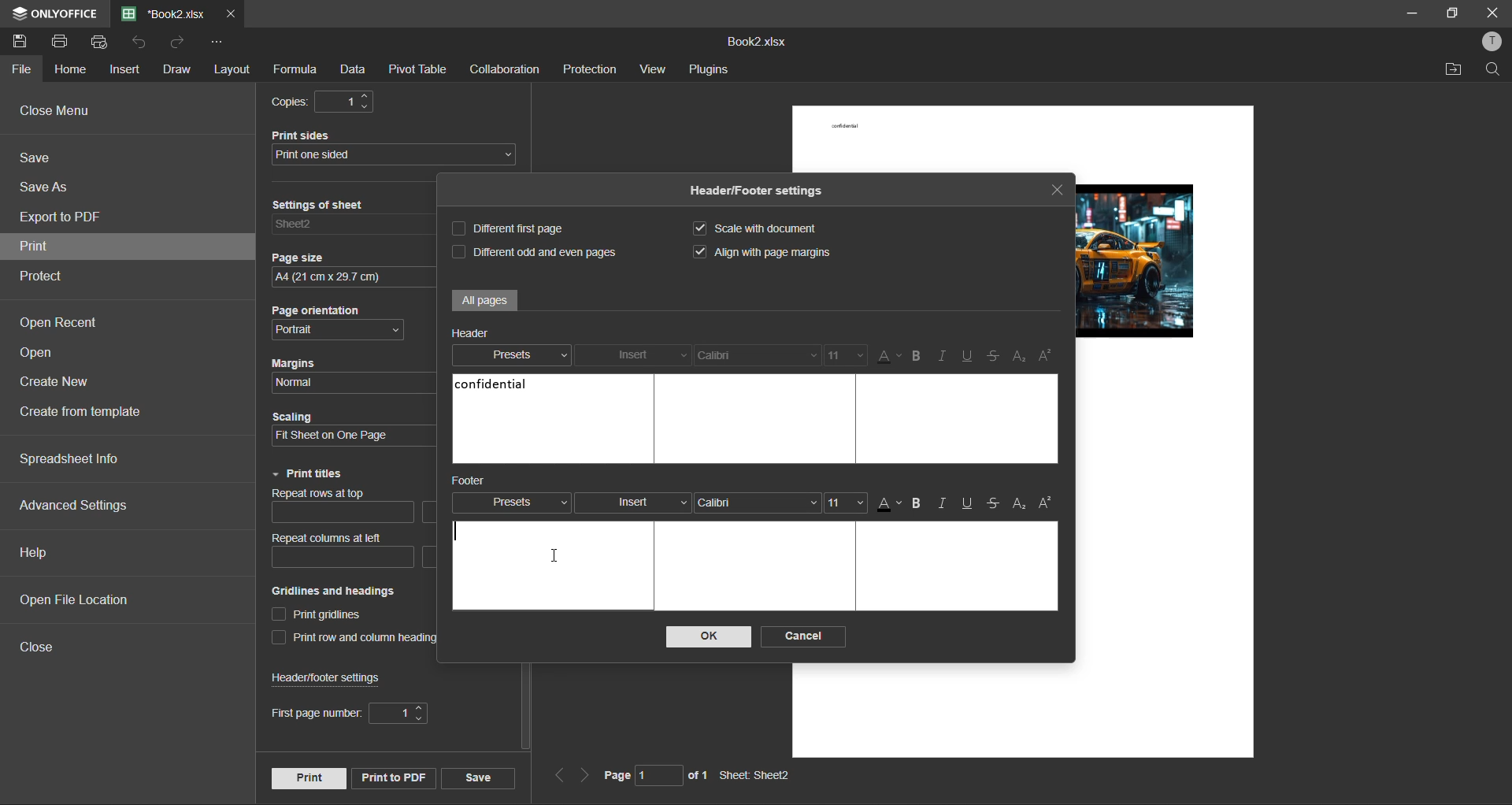 Image resolution: width=1512 pixels, height=805 pixels. Describe the element at coordinates (328, 676) in the screenshot. I see `header/footer settings` at that location.